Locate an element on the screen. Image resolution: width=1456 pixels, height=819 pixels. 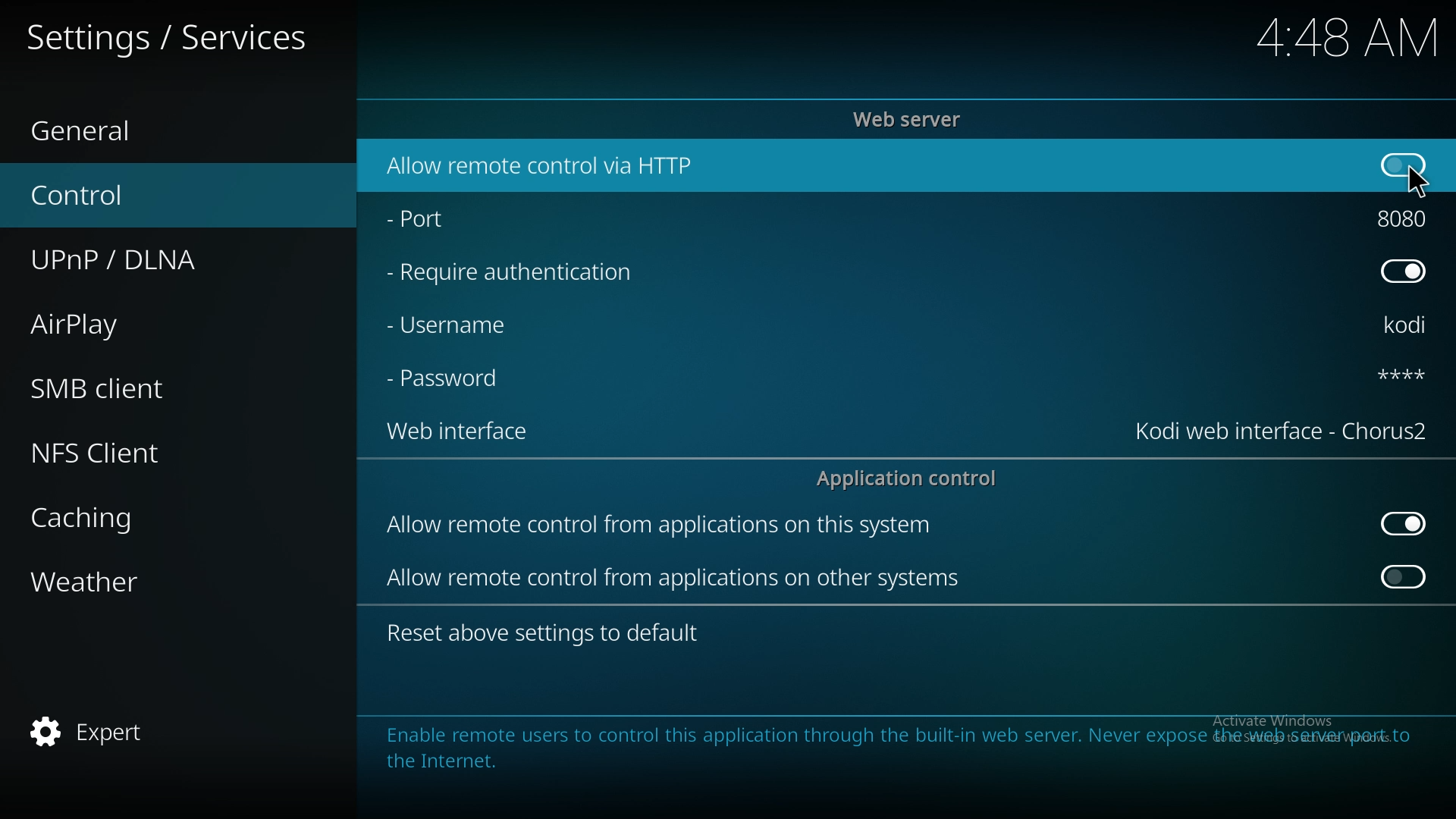
allow remote control from apps on other system is located at coordinates (681, 580).